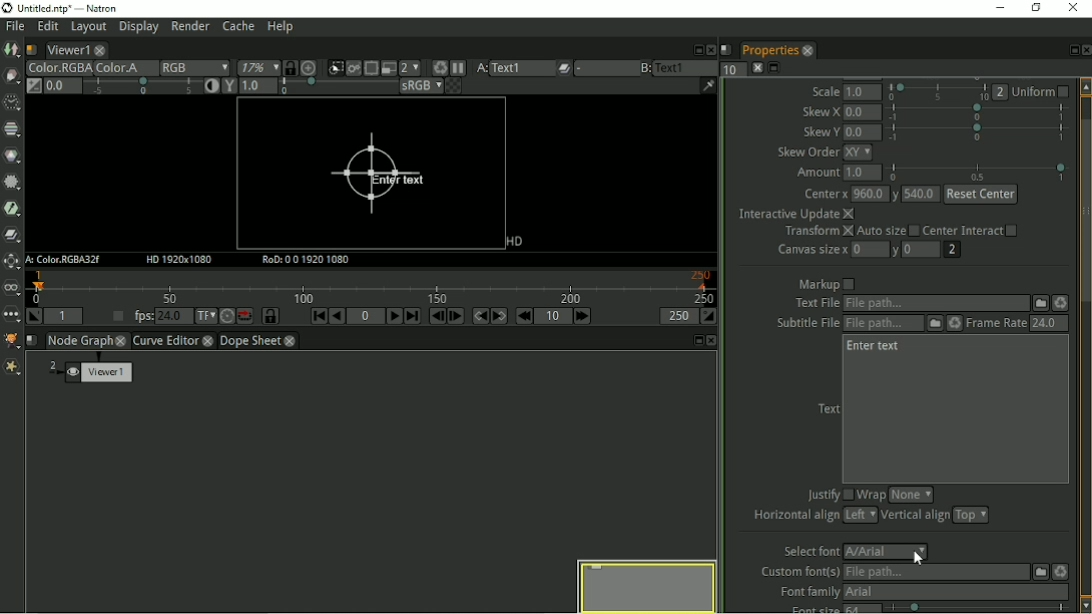 The image size is (1092, 614). What do you see at coordinates (455, 87) in the screenshot?
I see `Checkerboard` at bounding box center [455, 87].